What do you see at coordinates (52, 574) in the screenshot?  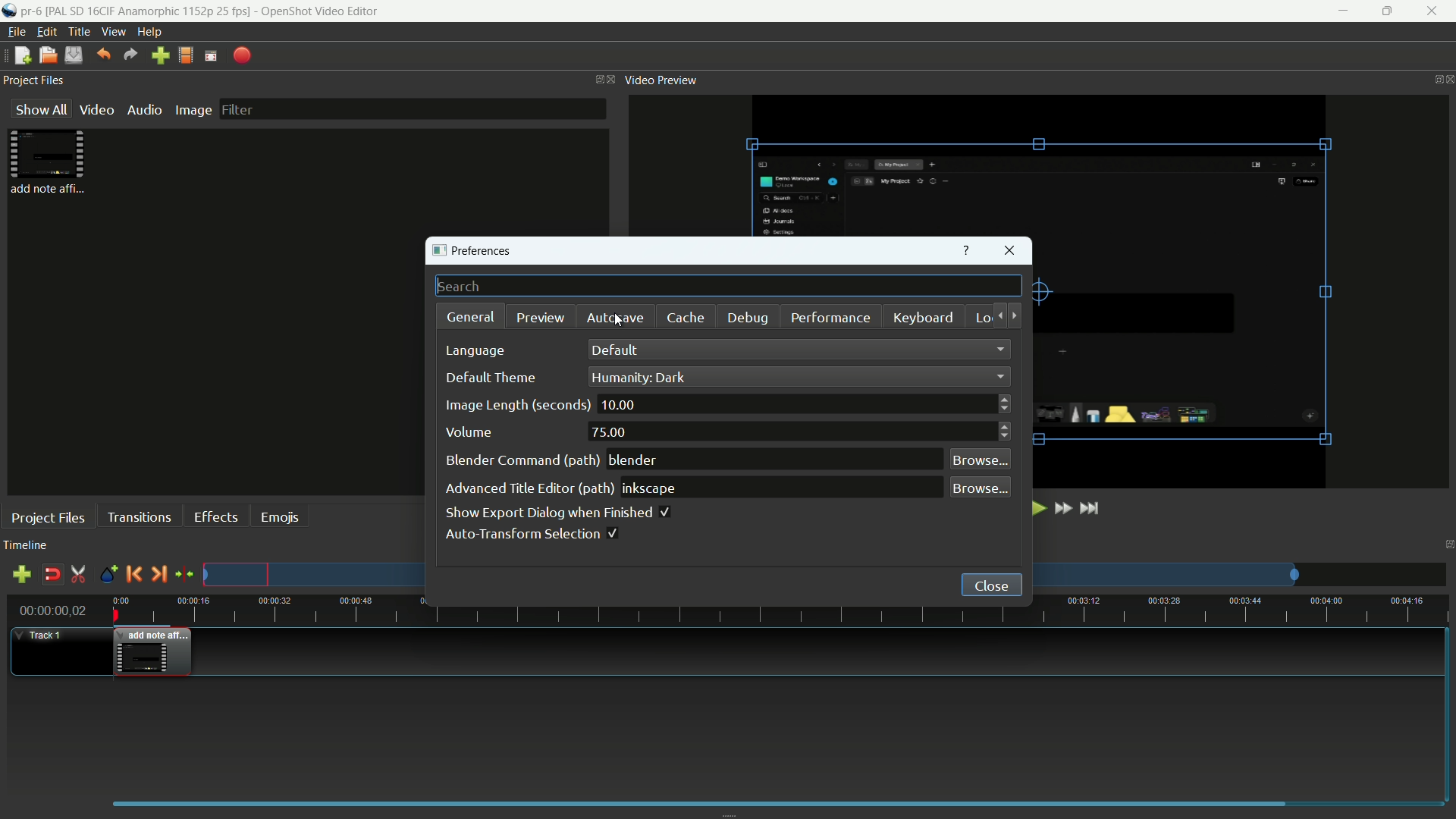 I see `disable snap` at bounding box center [52, 574].